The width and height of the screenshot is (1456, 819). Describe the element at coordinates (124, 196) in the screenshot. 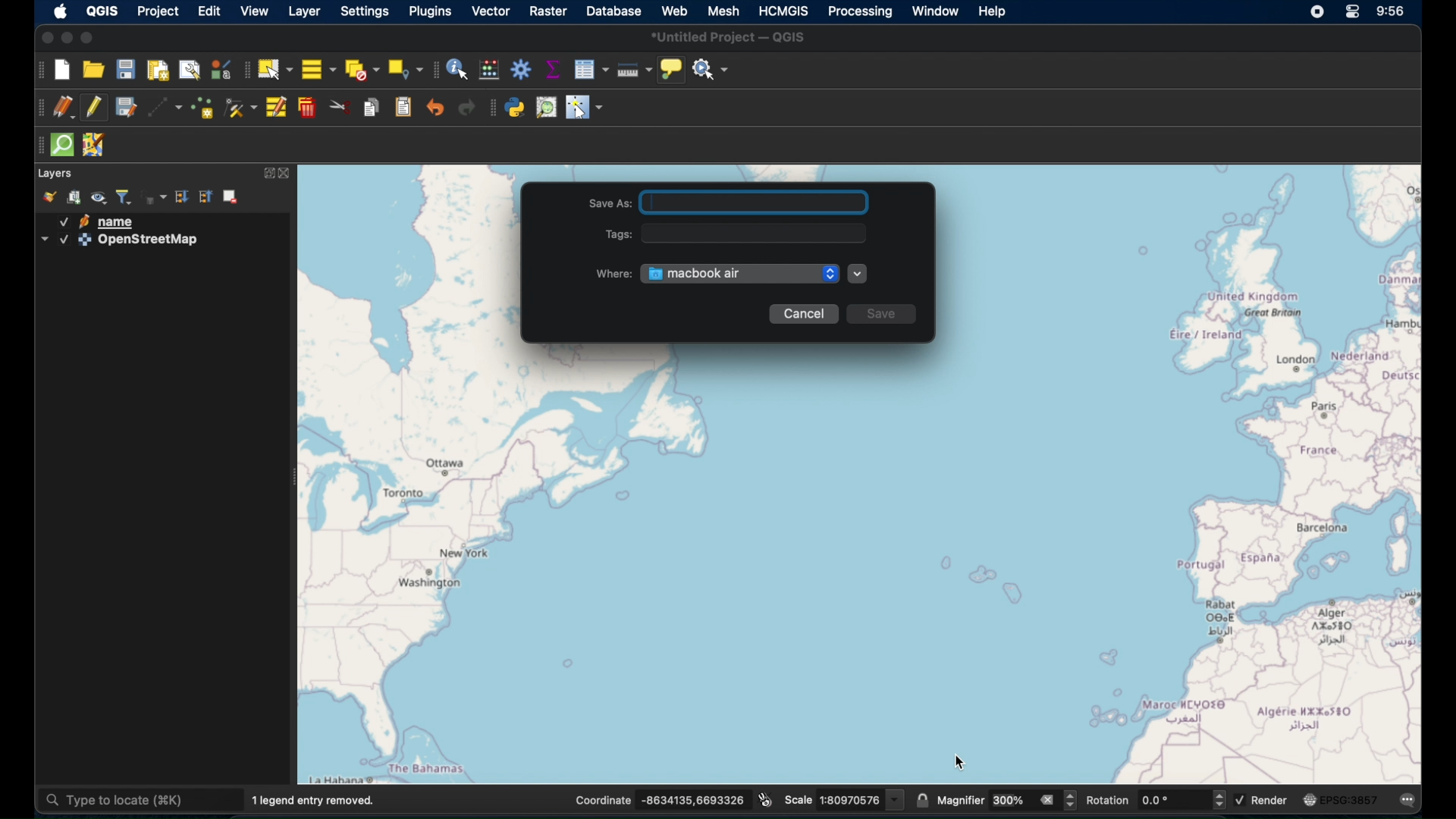

I see `filter layer` at that location.